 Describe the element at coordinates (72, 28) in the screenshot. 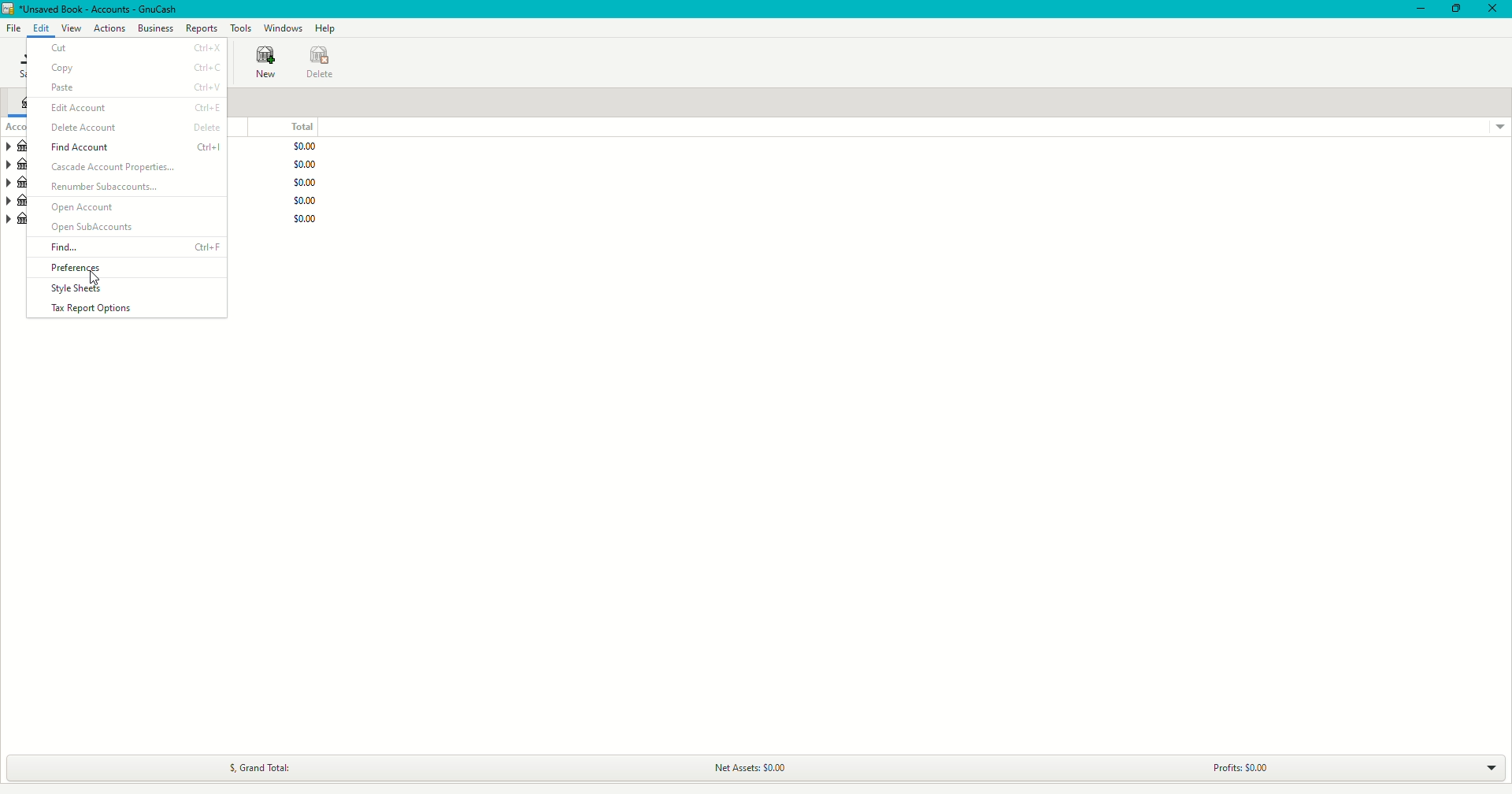

I see `View` at that location.